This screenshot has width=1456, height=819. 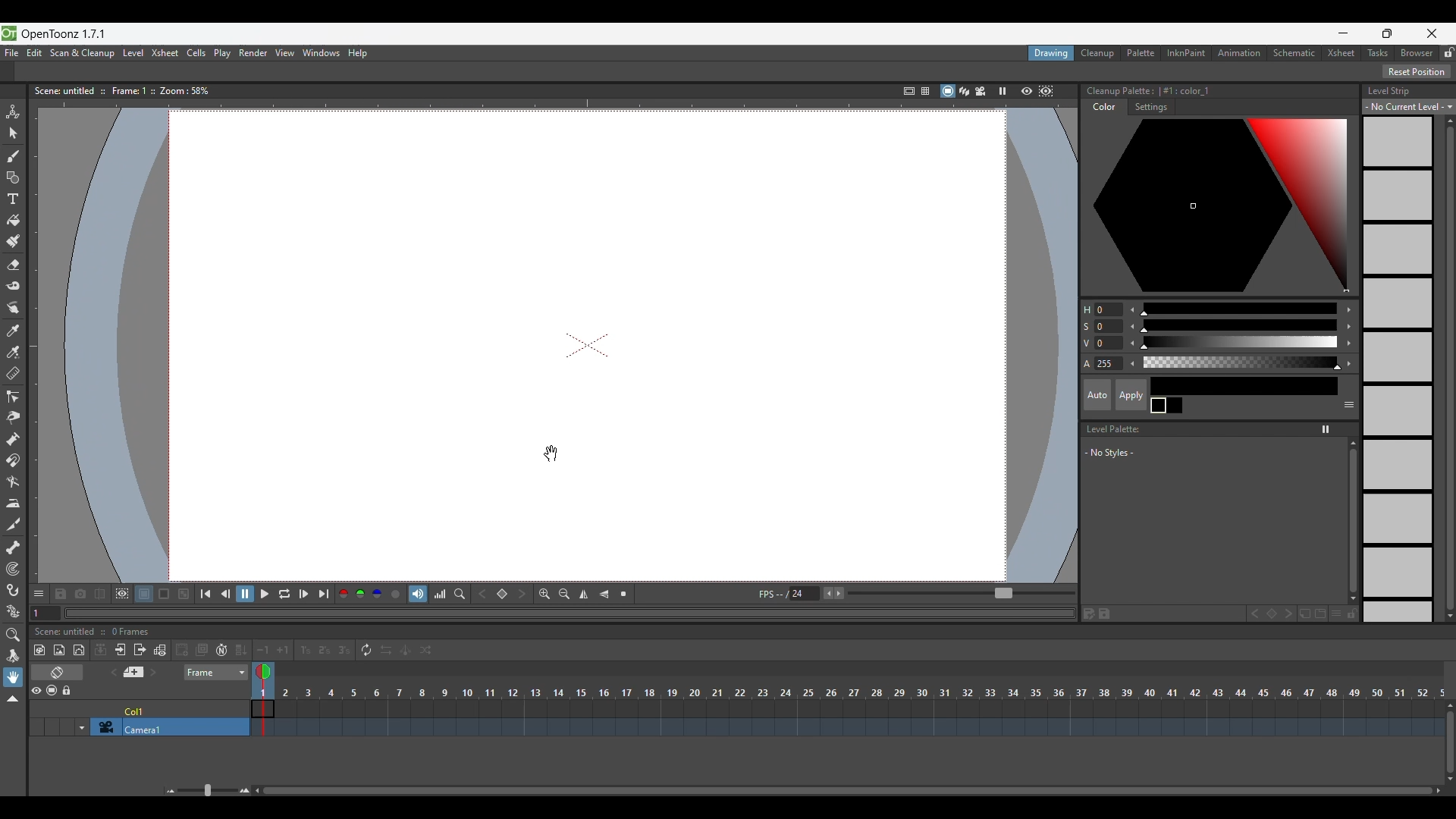 What do you see at coordinates (206, 594) in the screenshot?
I see `First frame` at bounding box center [206, 594].